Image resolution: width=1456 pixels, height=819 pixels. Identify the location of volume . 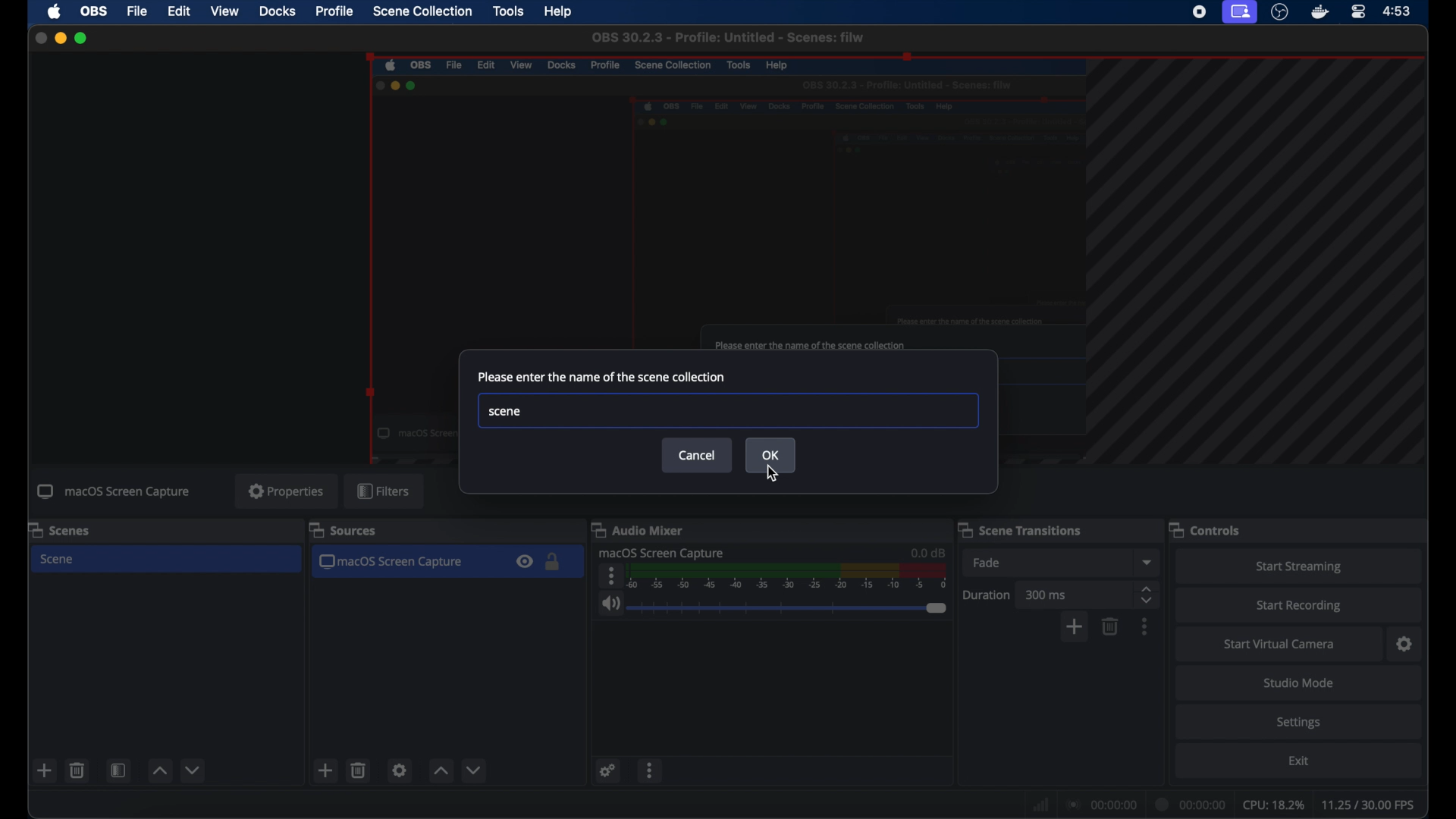
(609, 604).